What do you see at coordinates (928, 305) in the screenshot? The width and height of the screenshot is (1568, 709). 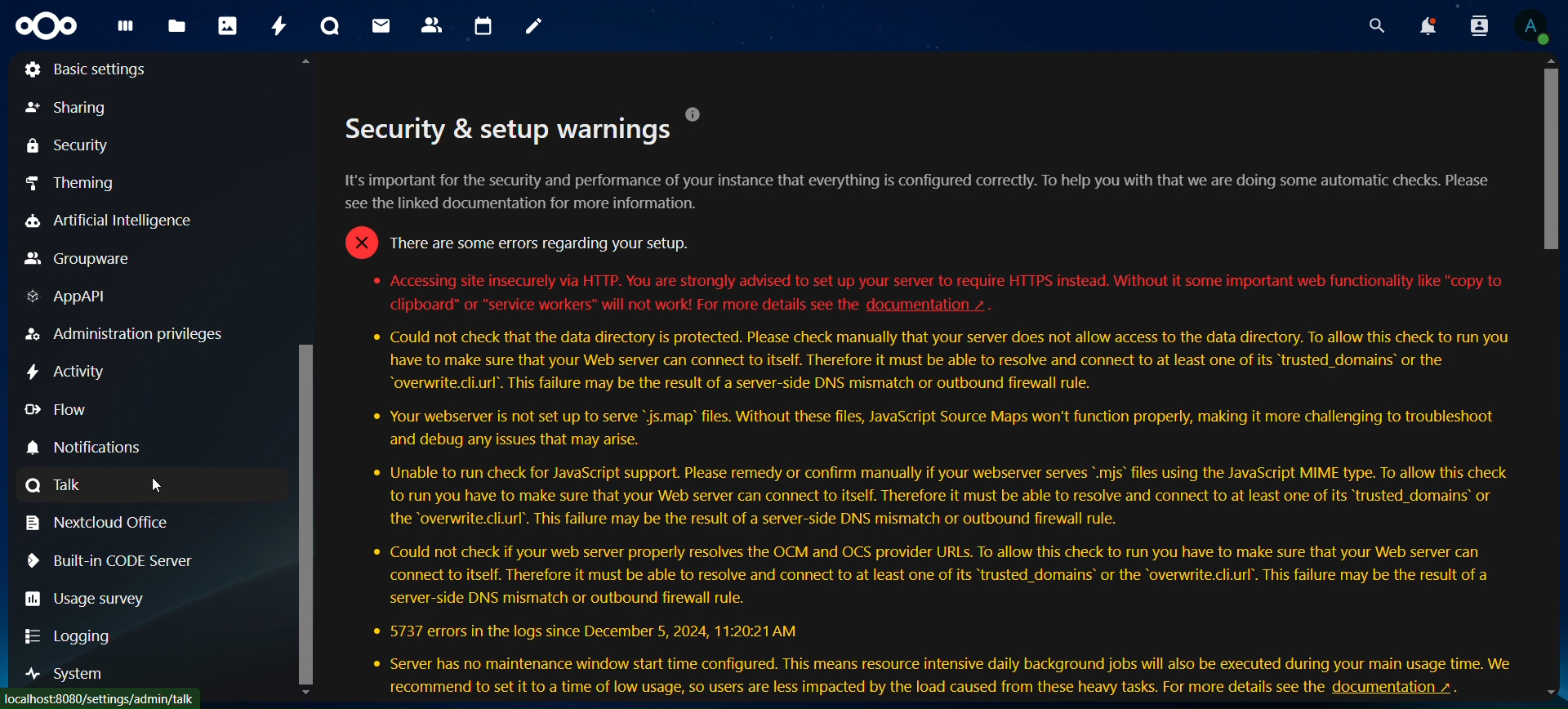 I see `hyperlink` at bounding box center [928, 305].